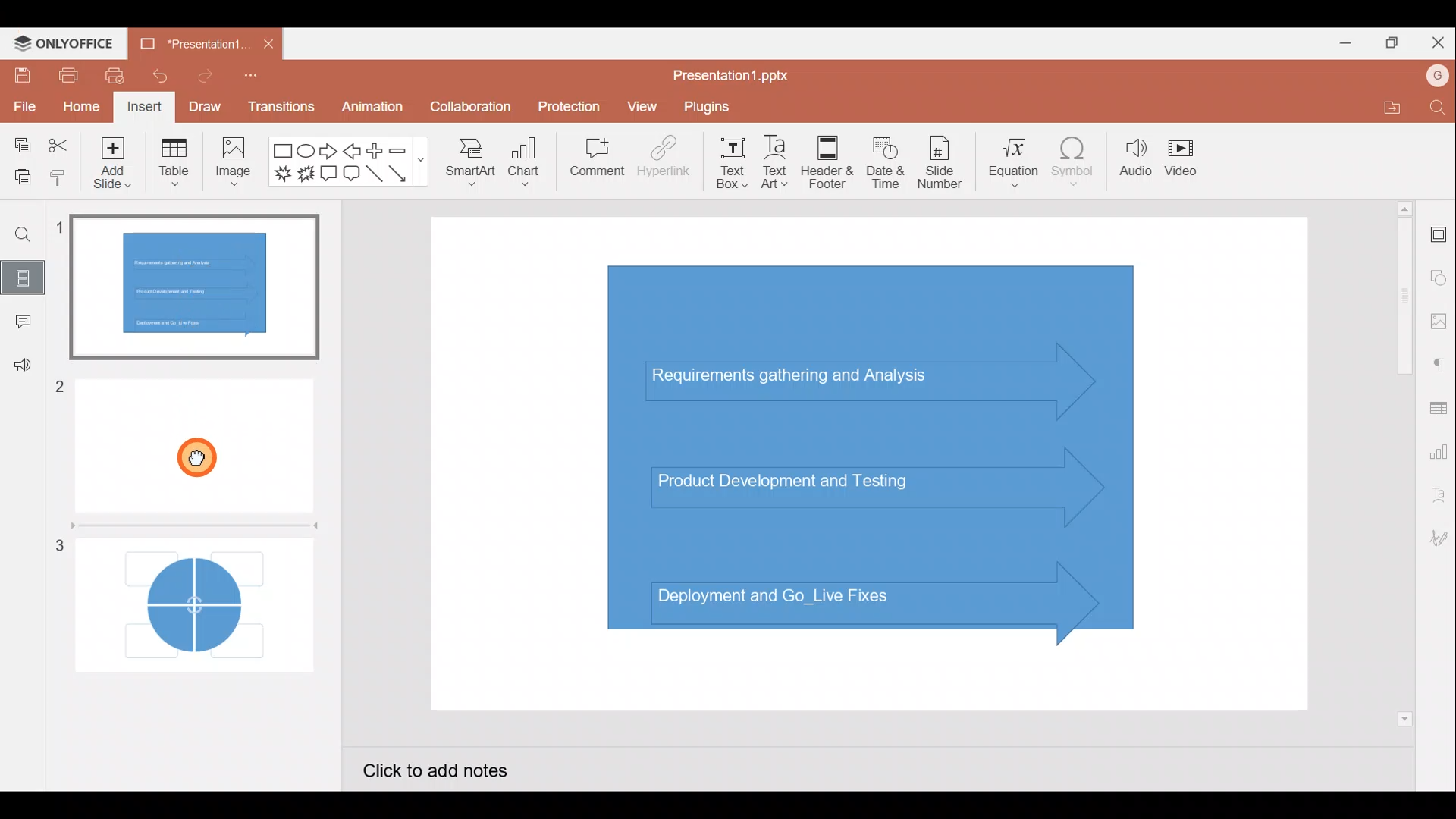  What do you see at coordinates (375, 149) in the screenshot?
I see `Plus` at bounding box center [375, 149].